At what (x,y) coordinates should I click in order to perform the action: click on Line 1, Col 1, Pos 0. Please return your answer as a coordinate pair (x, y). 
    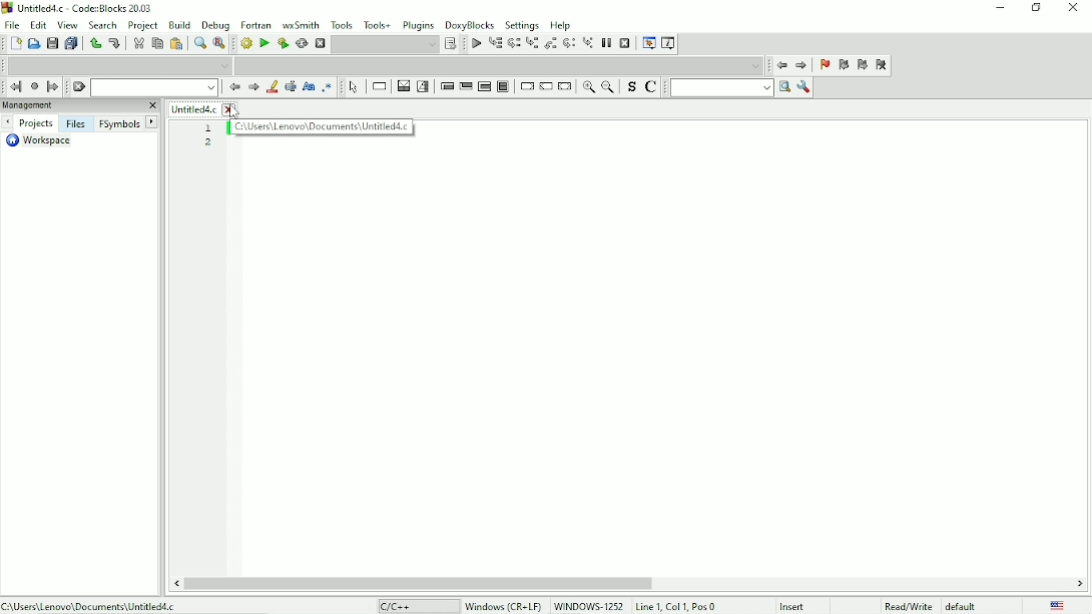
    Looking at the image, I should click on (675, 605).